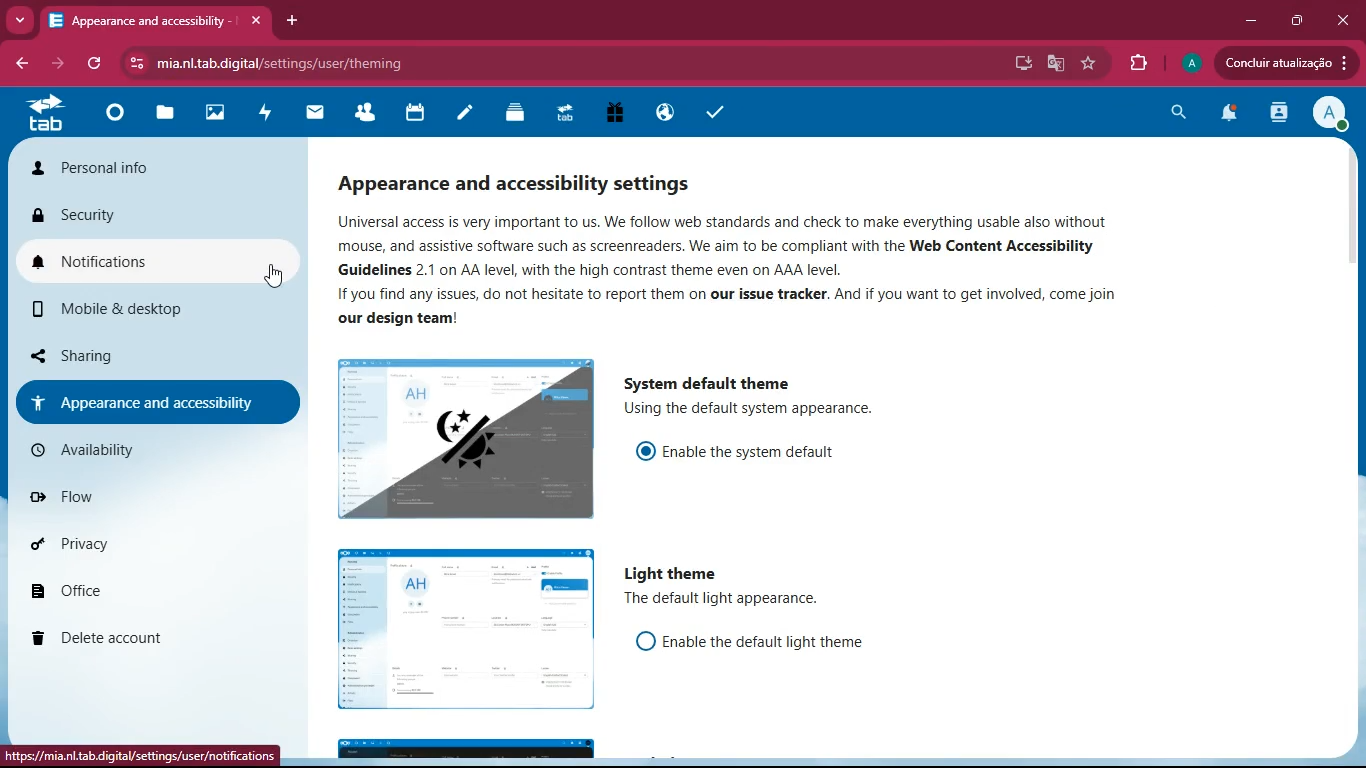  I want to click on google translate, so click(1055, 63).